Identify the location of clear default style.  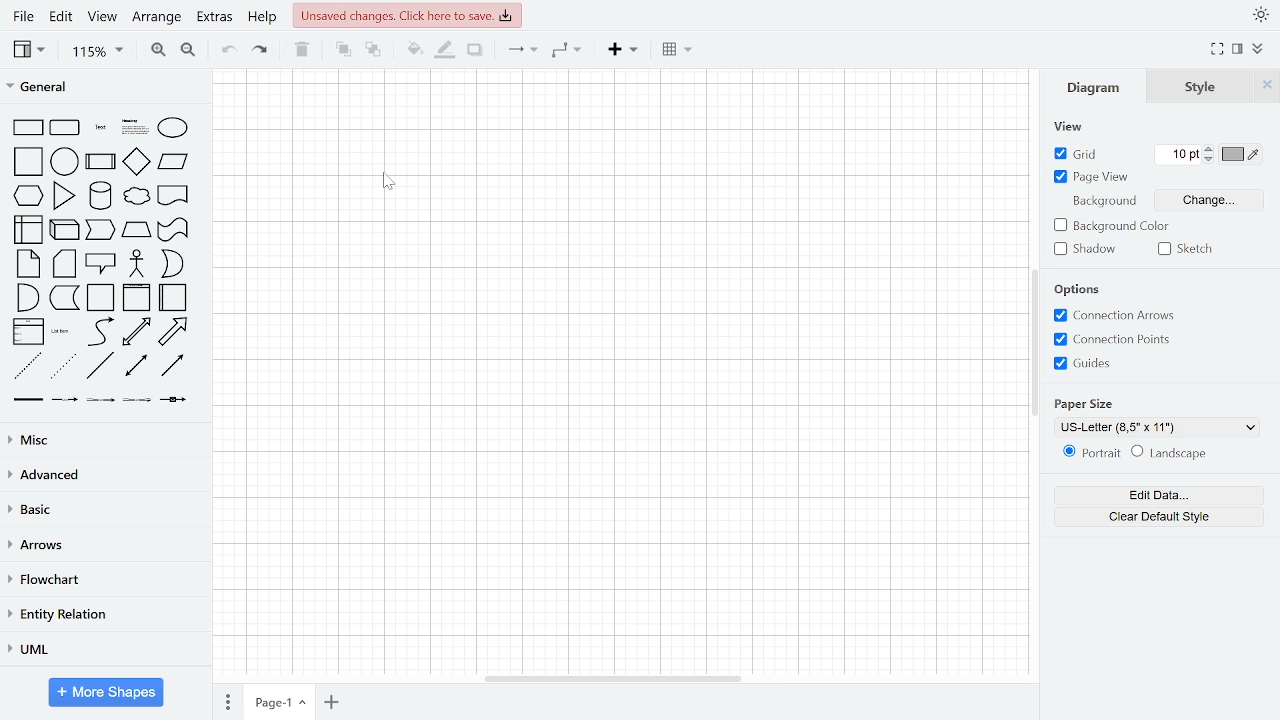
(1158, 516).